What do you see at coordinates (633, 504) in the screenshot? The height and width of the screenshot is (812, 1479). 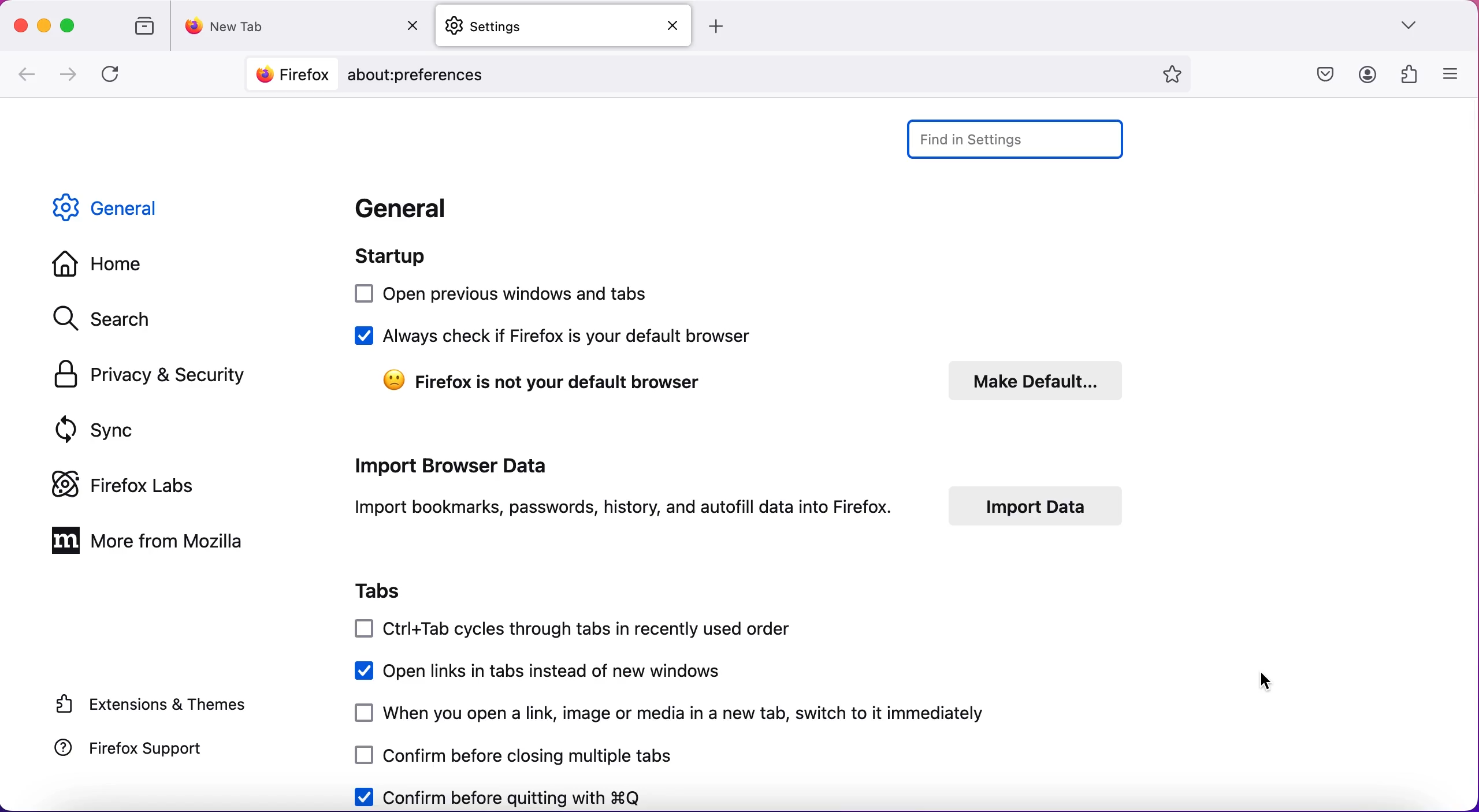 I see `import bookmarks, passwords, history, and autofill data into firefox` at bounding box center [633, 504].